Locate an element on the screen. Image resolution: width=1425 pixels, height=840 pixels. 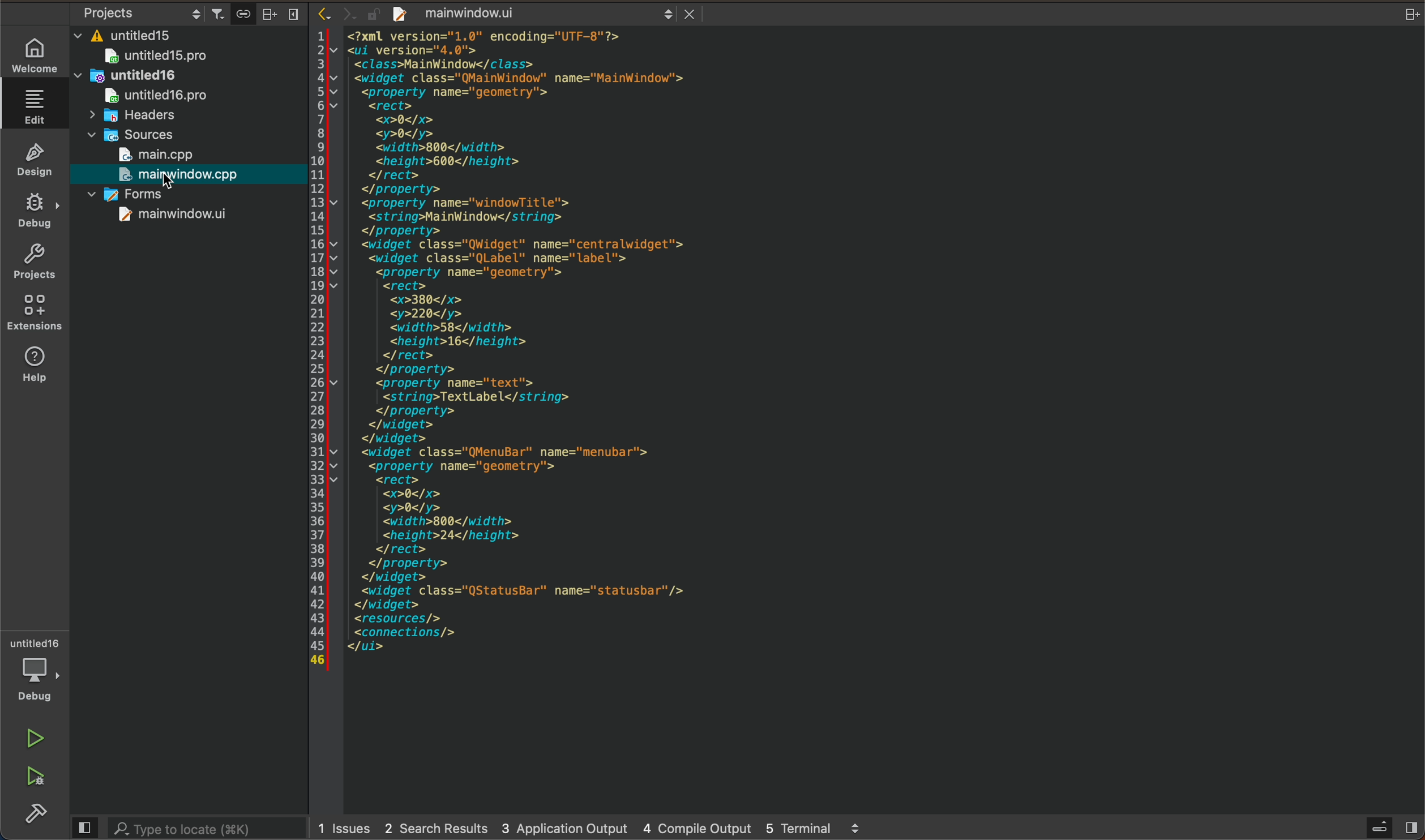
forms is located at coordinates (178, 197).